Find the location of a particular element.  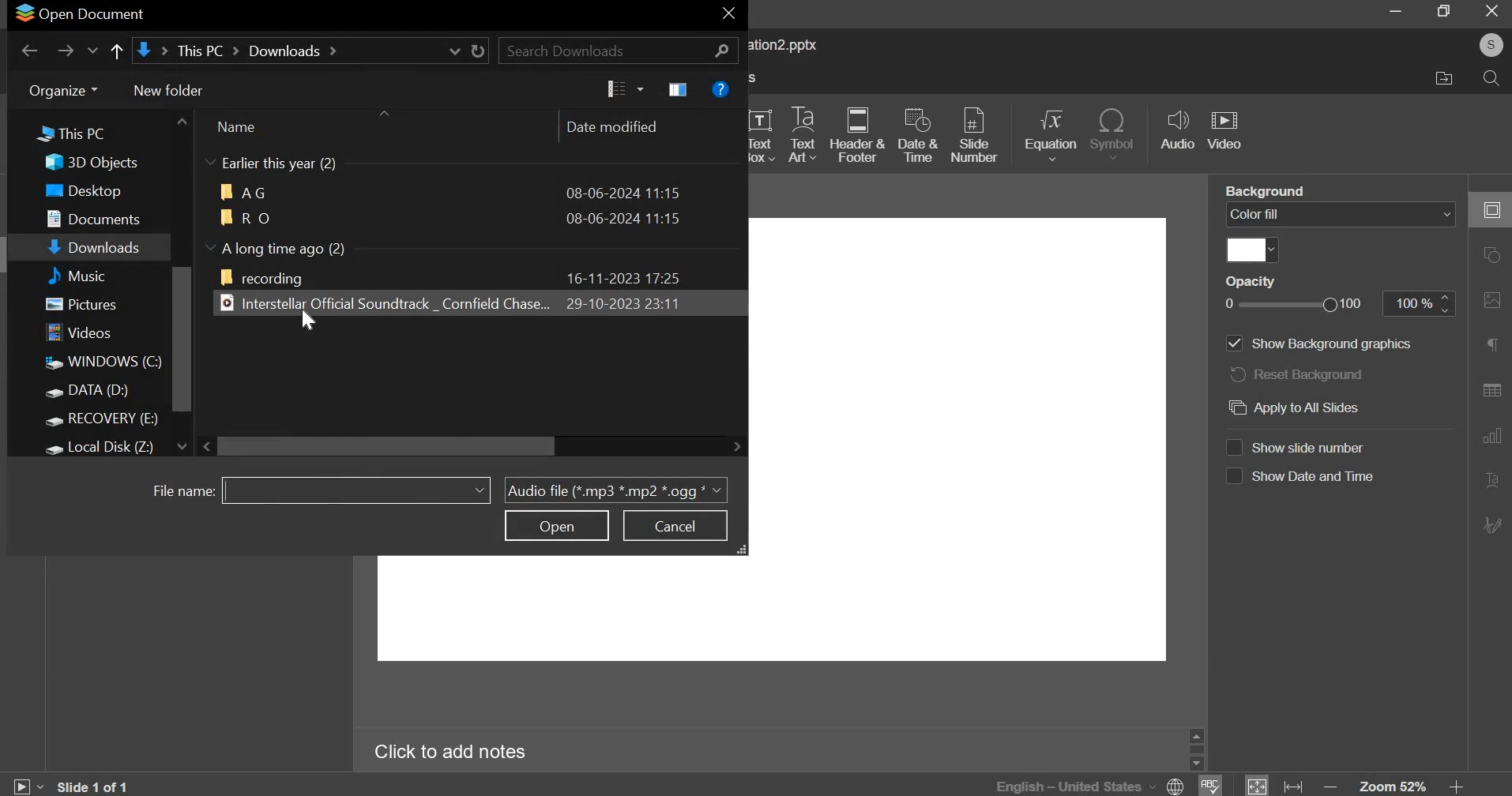

show background graphics is located at coordinates (1317, 344).